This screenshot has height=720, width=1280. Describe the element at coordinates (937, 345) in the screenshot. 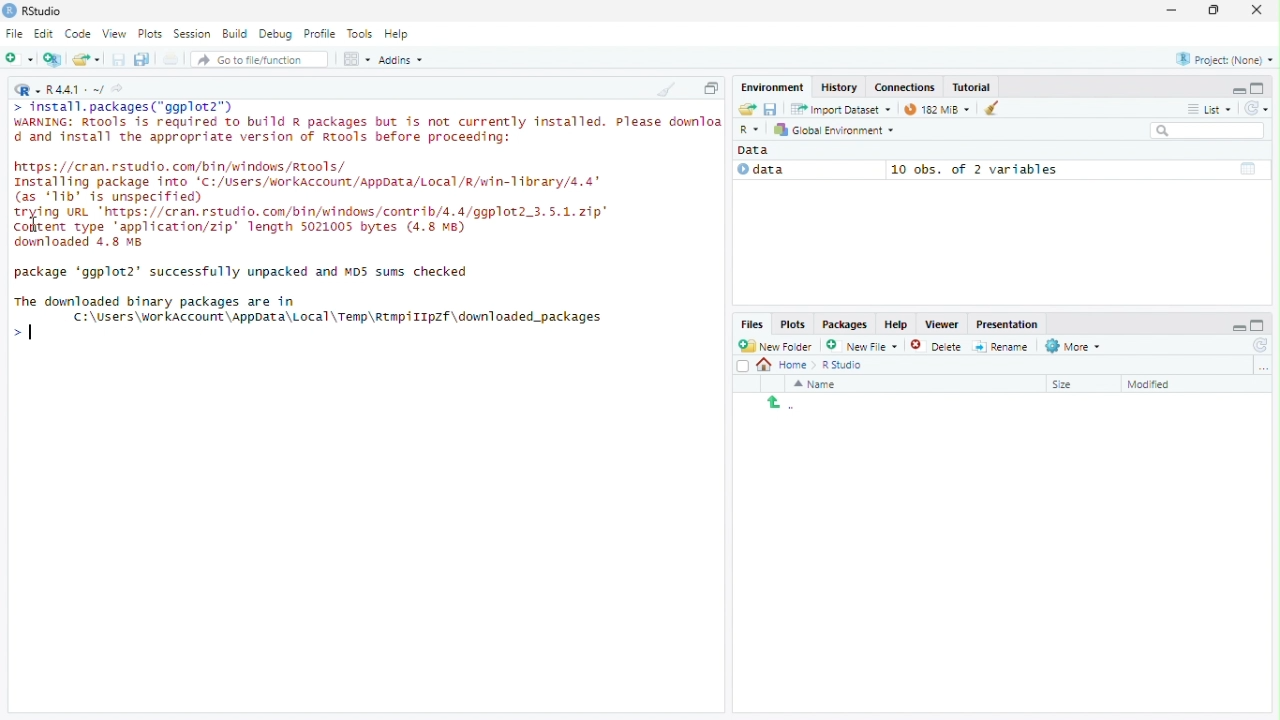

I see `Delete` at that location.